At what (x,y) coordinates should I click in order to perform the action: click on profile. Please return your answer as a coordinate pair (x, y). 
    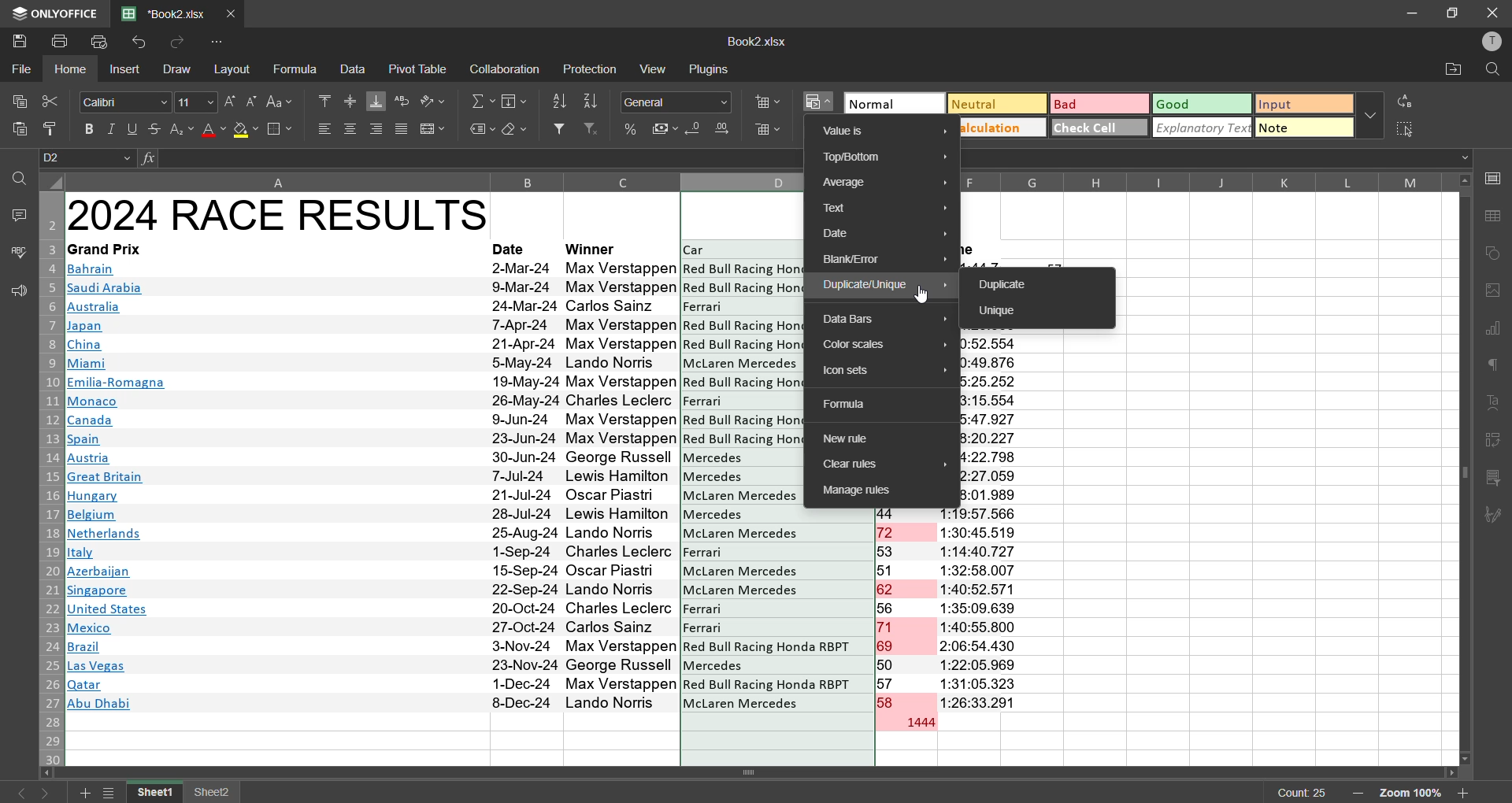
    Looking at the image, I should click on (1488, 41).